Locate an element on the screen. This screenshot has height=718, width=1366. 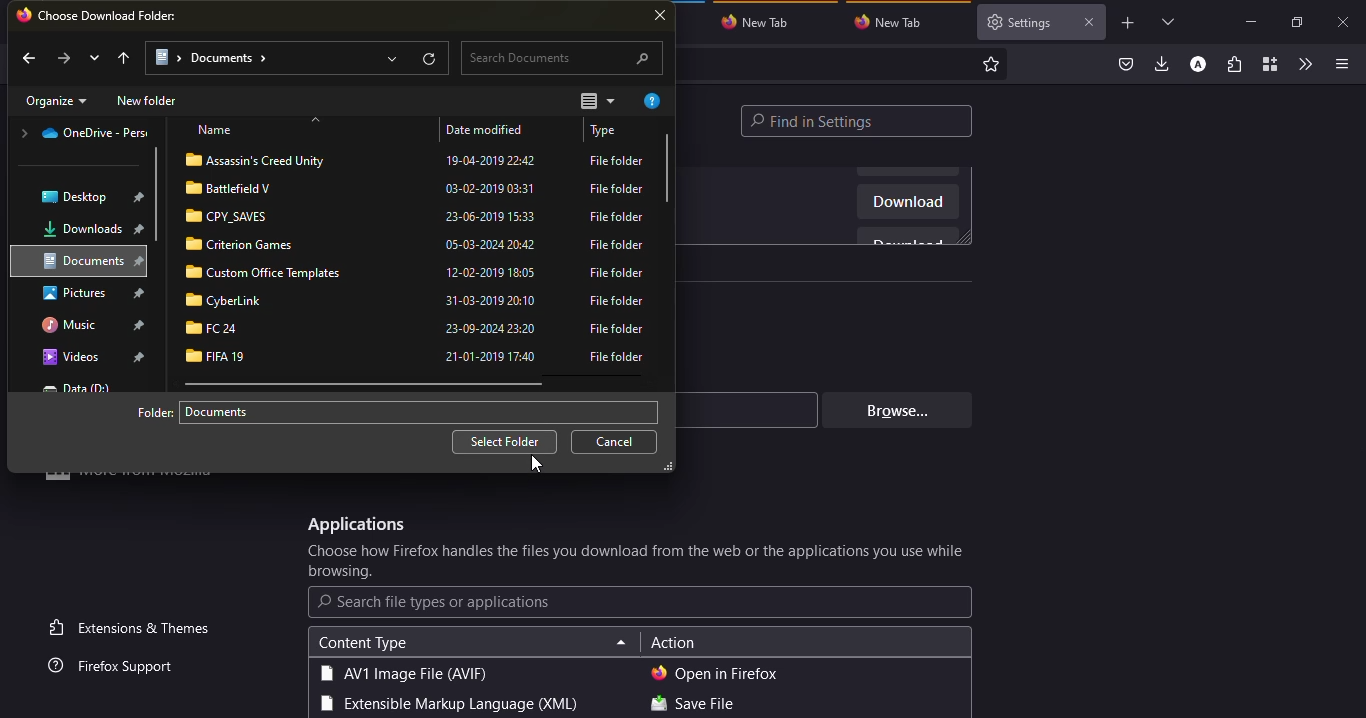
about:preferences is located at coordinates (841, 64).